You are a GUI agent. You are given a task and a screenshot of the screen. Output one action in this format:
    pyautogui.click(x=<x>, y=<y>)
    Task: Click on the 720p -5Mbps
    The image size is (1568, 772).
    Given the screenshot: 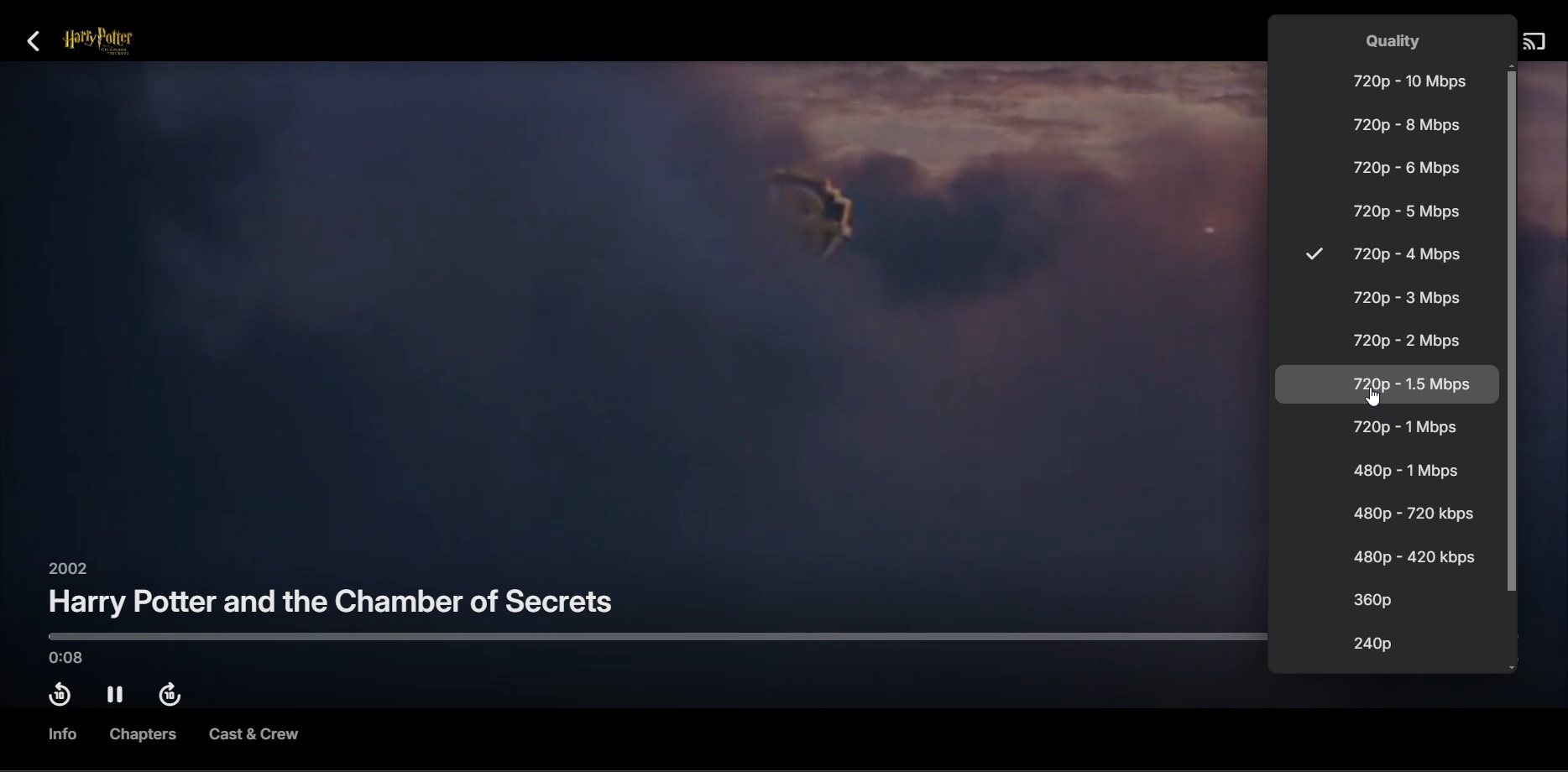 What is the action you would take?
    pyautogui.click(x=1404, y=211)
    